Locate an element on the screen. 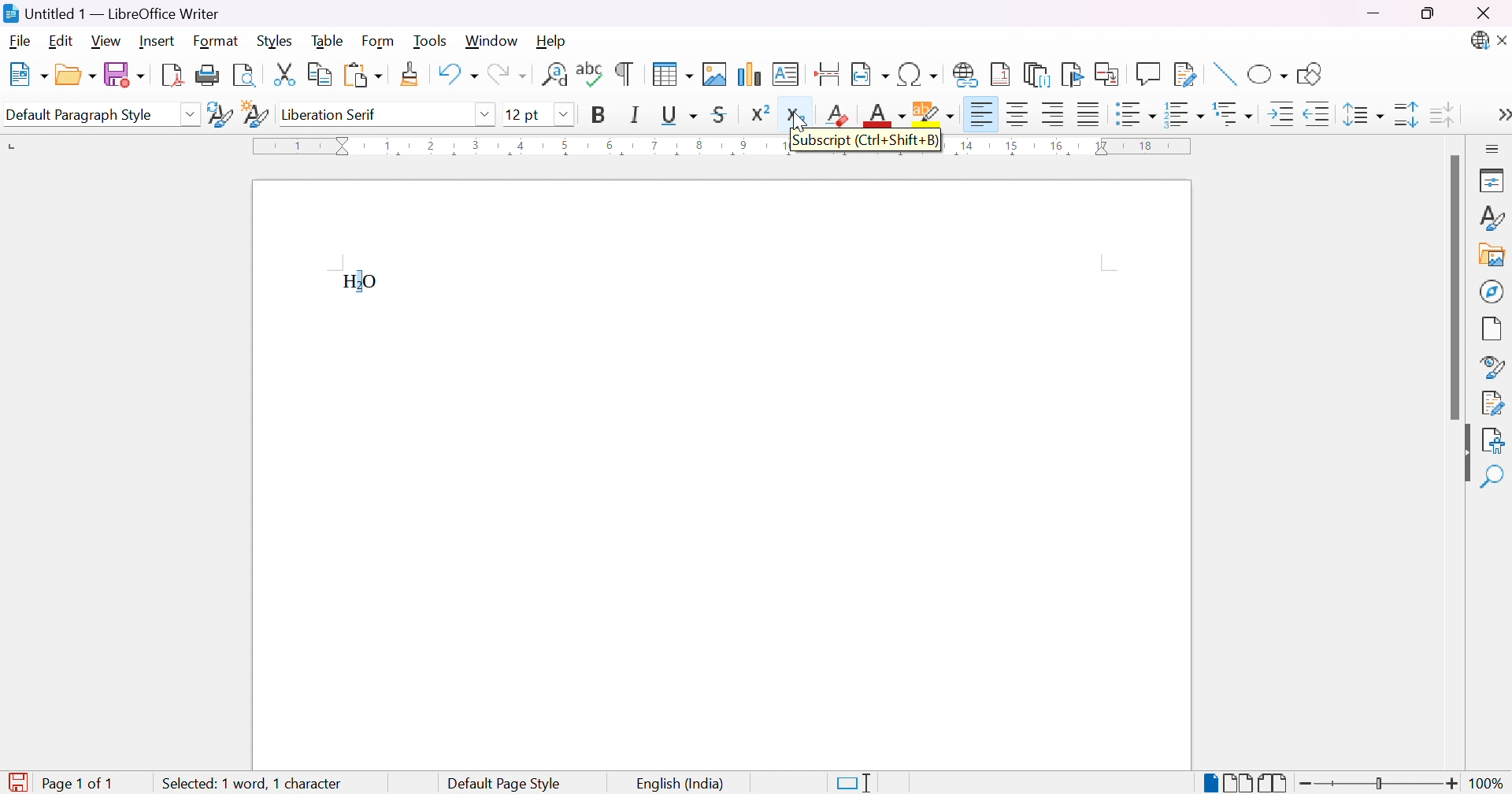  Navigator is located at coordinates (1492, 291).